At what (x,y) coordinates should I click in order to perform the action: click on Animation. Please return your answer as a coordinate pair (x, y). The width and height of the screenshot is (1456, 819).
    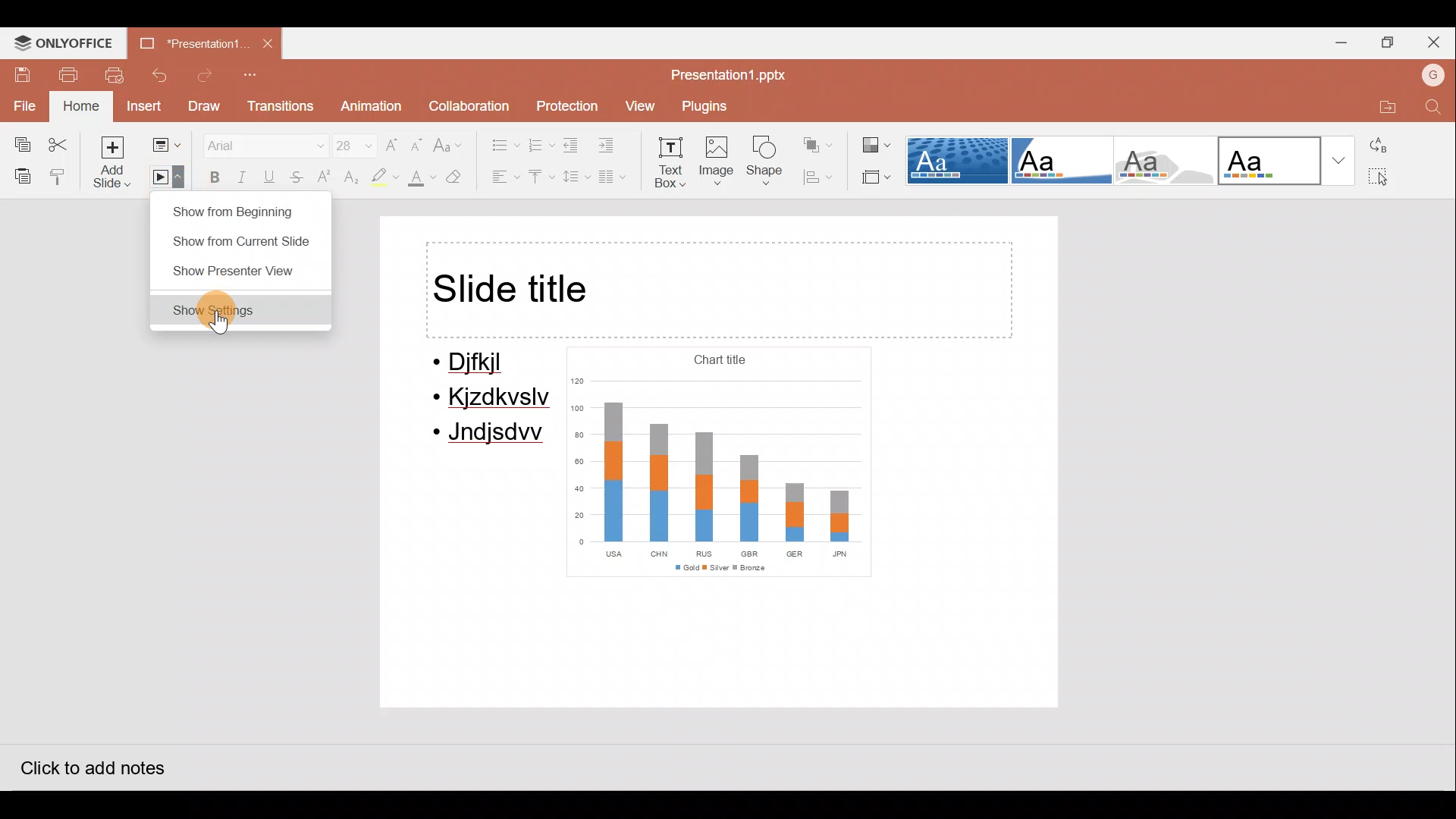
    Looking at the image, I should click on (367, 106).